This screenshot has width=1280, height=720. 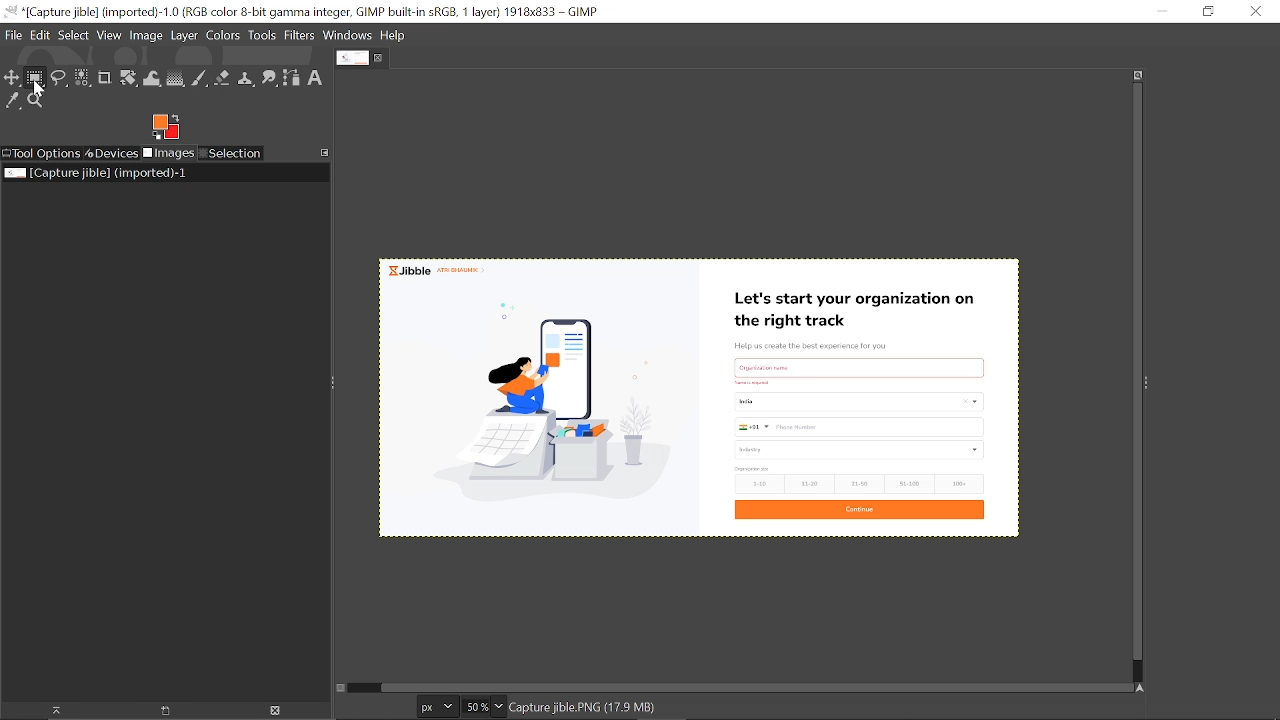 I want to click on Vertical scrollbar, so click(x=1132, y=372).